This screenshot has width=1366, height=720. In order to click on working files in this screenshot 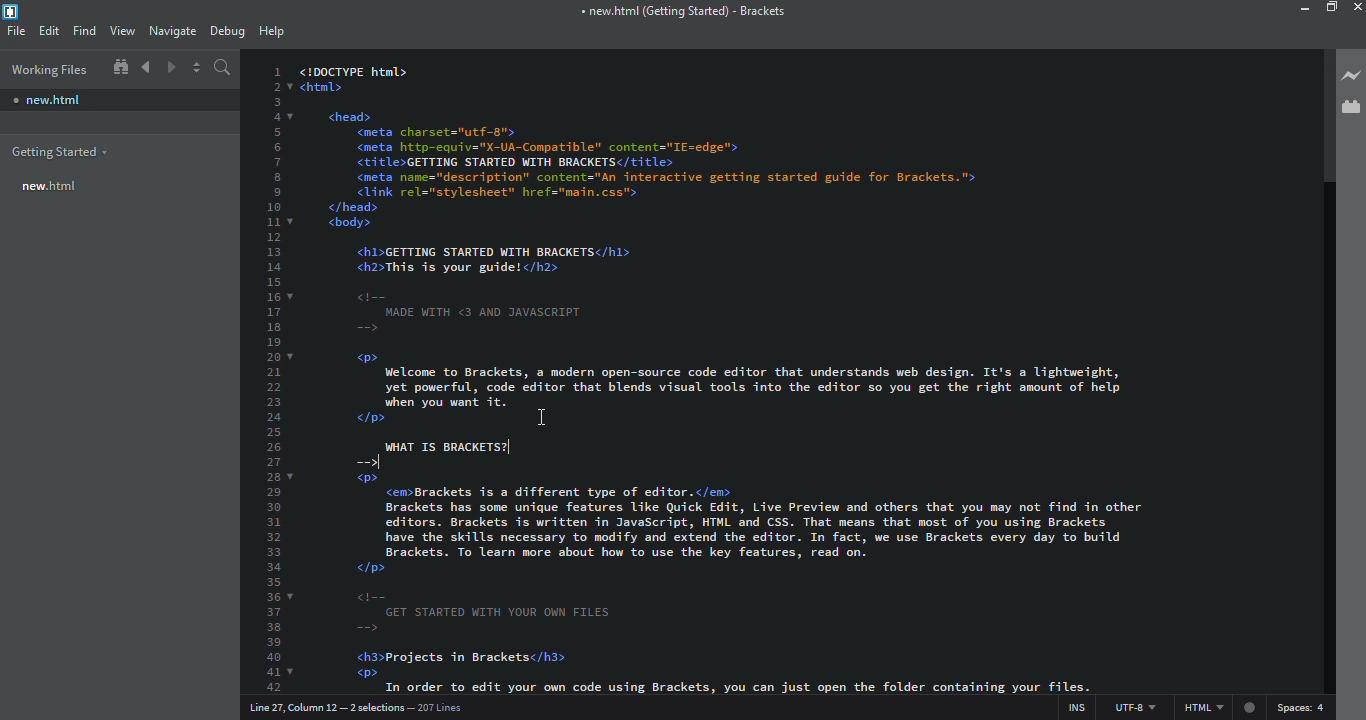, I will do `click(46, 67)`.